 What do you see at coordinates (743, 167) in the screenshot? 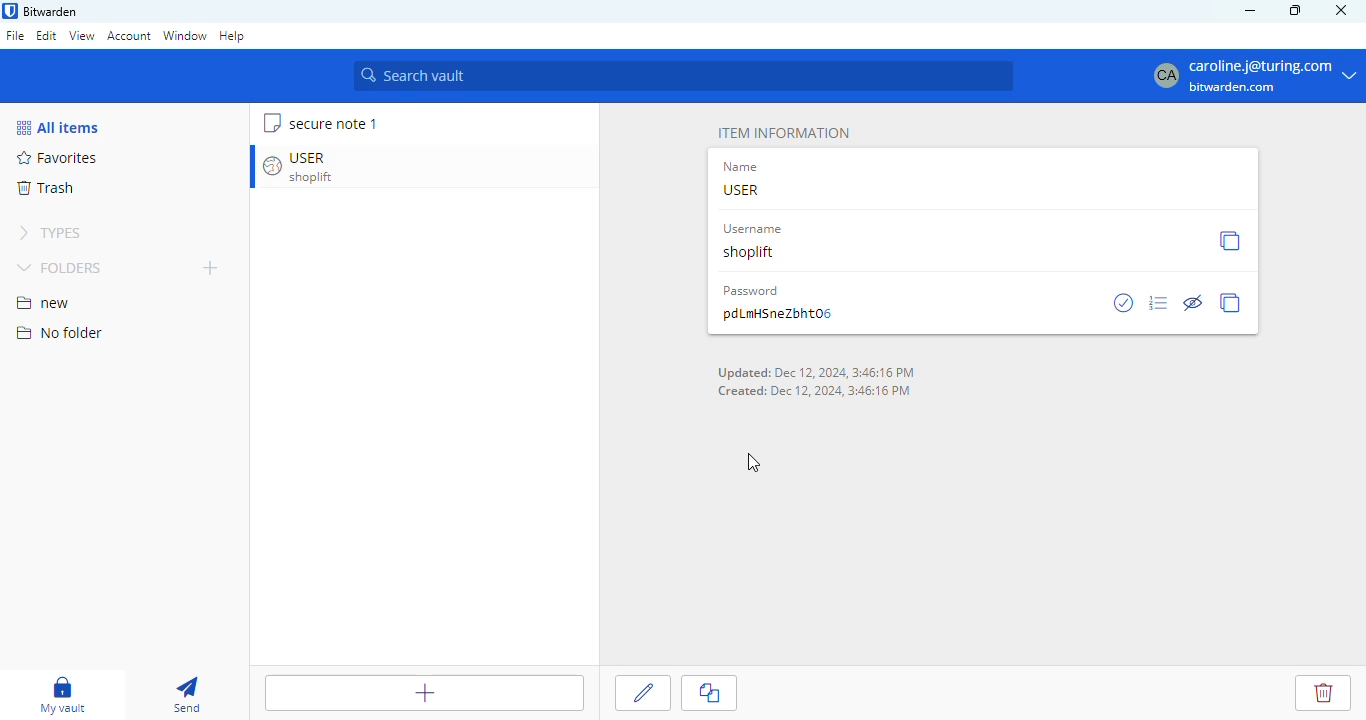
I see `name` at bounding box center [743, 167].